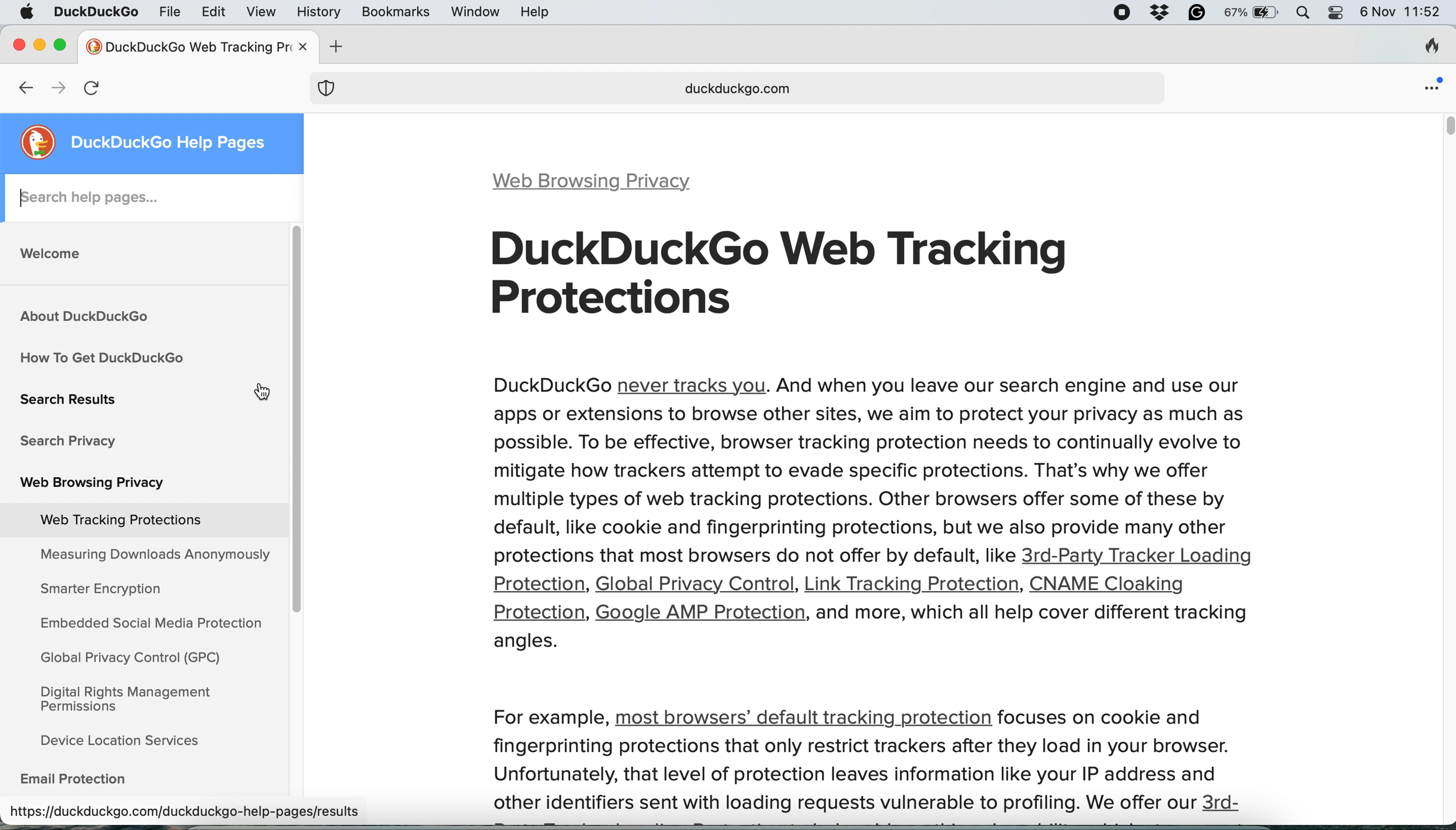 Image resolution: width=1456 pixels, height=830 pixels. Describe the element at coordinates (1341, 15) in the screenshot. I see `control center` at that location.